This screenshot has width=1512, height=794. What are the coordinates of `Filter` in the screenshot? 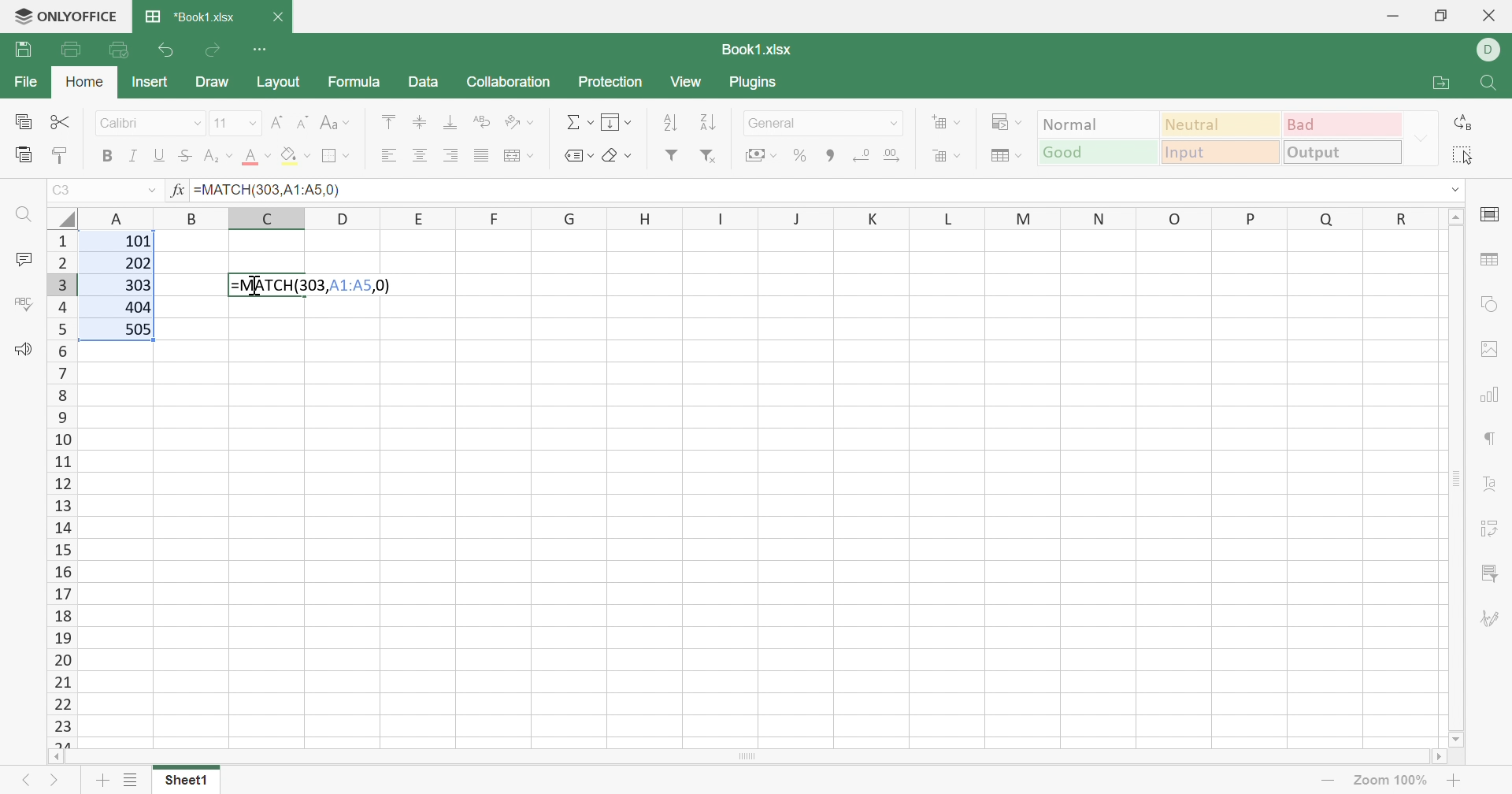 It's located at (673, 158).